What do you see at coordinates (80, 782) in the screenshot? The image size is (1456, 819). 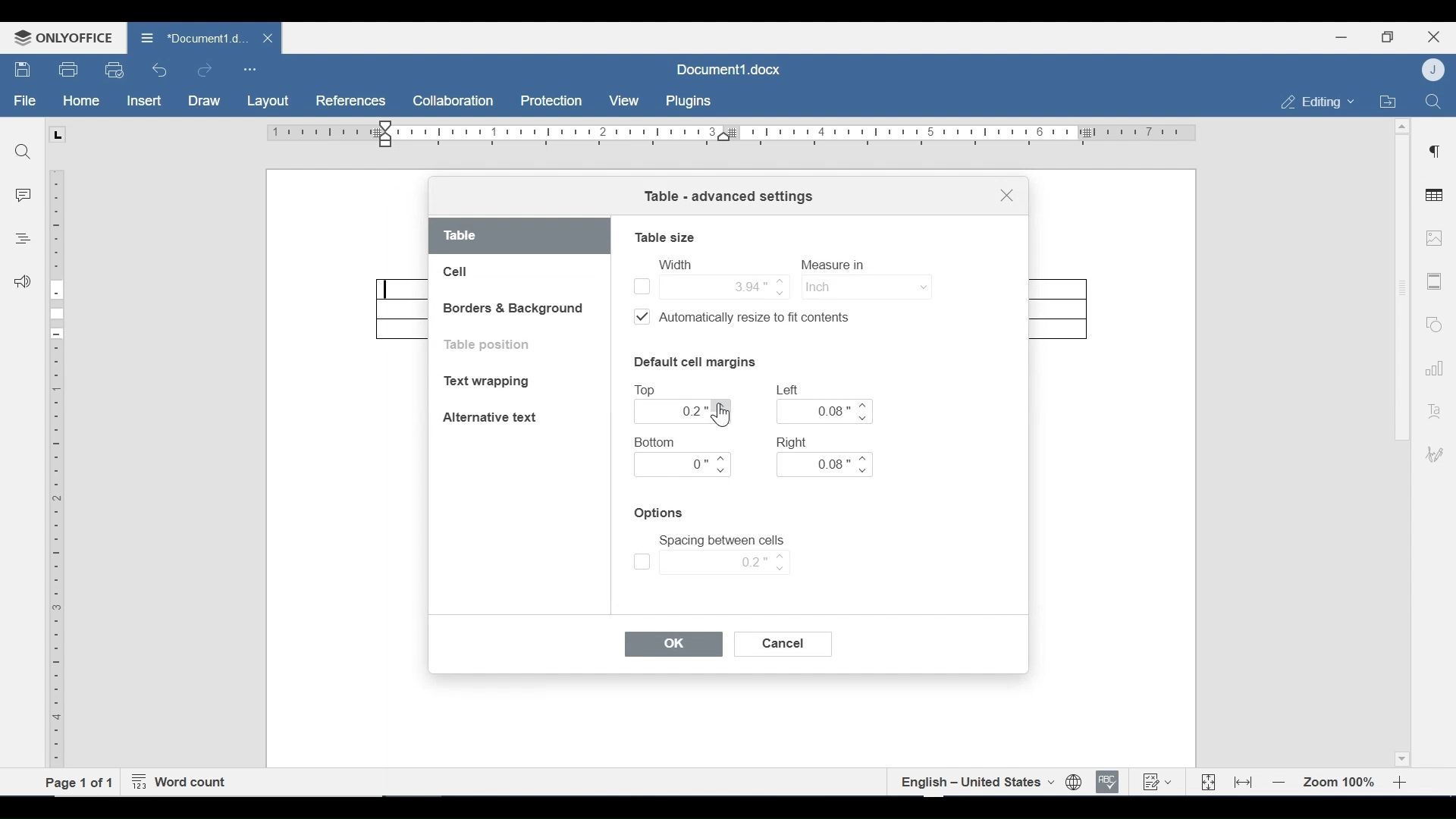 I see `Page 1 of 1` at bounding box center [80, 782].